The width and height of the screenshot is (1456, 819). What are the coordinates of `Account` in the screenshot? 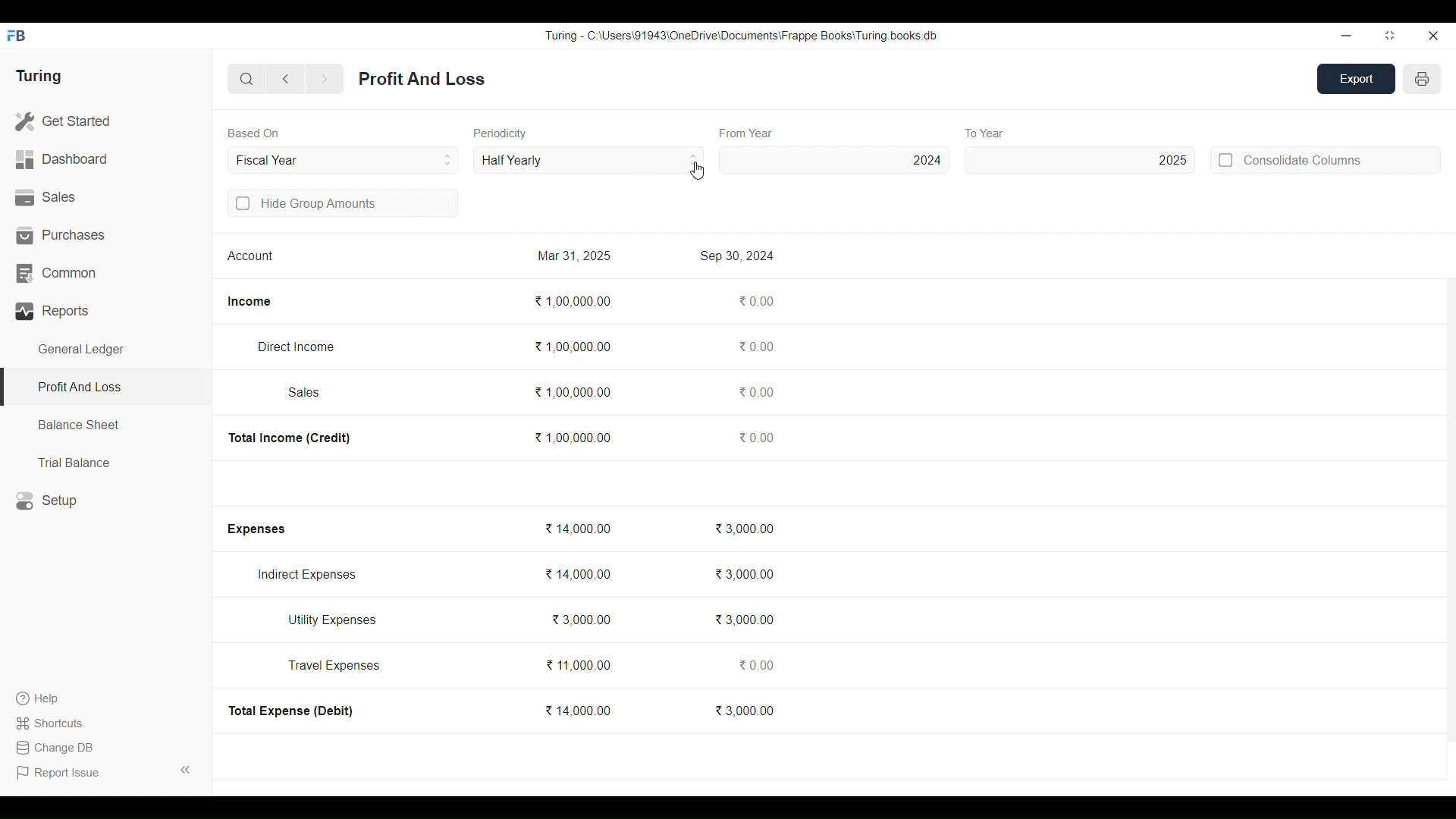 It's located at (251, 255).